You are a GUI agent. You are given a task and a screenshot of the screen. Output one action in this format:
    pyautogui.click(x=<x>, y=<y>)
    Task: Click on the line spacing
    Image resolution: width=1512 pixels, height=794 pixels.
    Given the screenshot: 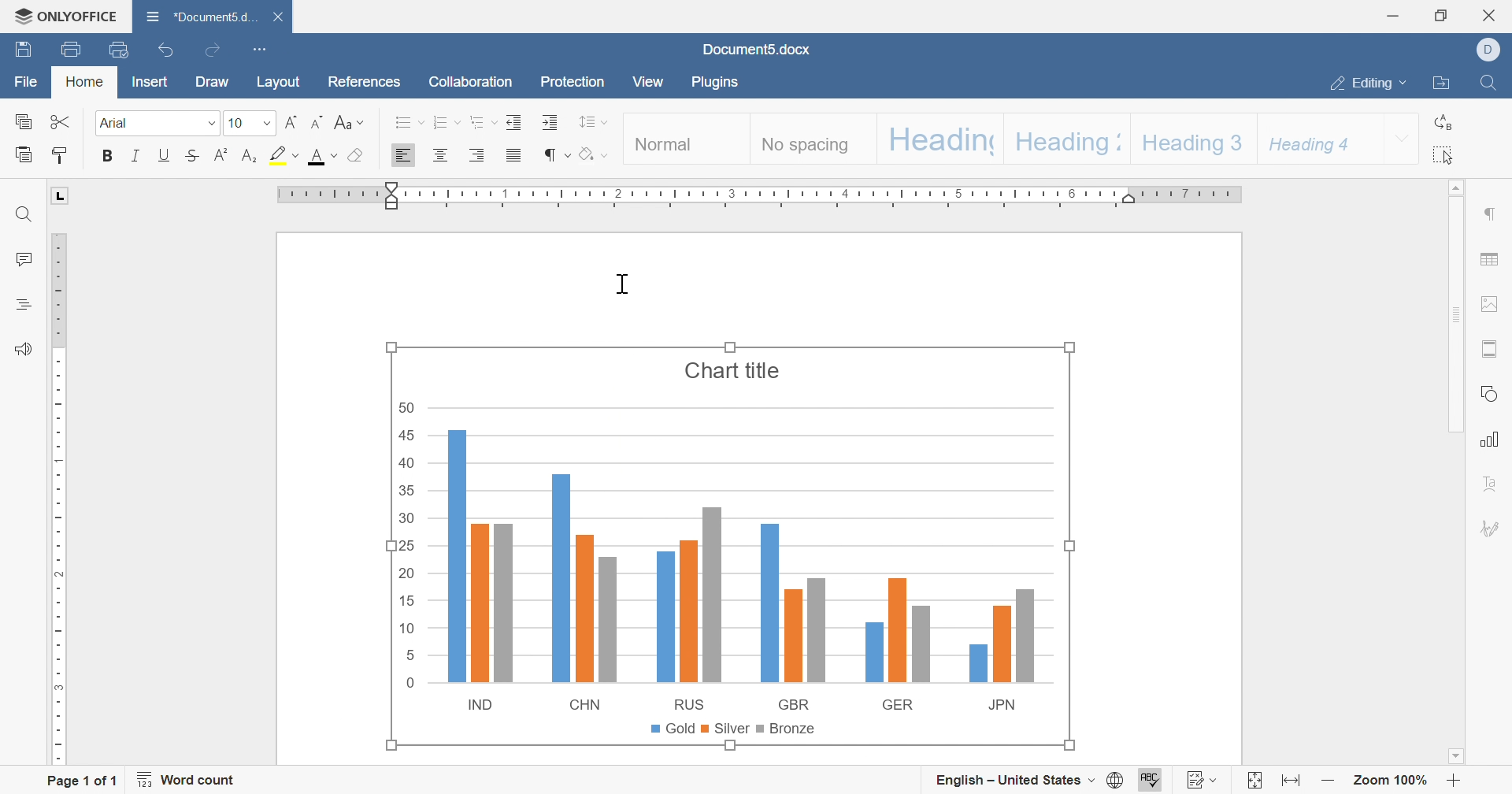 What is the action you would take?
    pyautogui.click(x=594, y=121)
    